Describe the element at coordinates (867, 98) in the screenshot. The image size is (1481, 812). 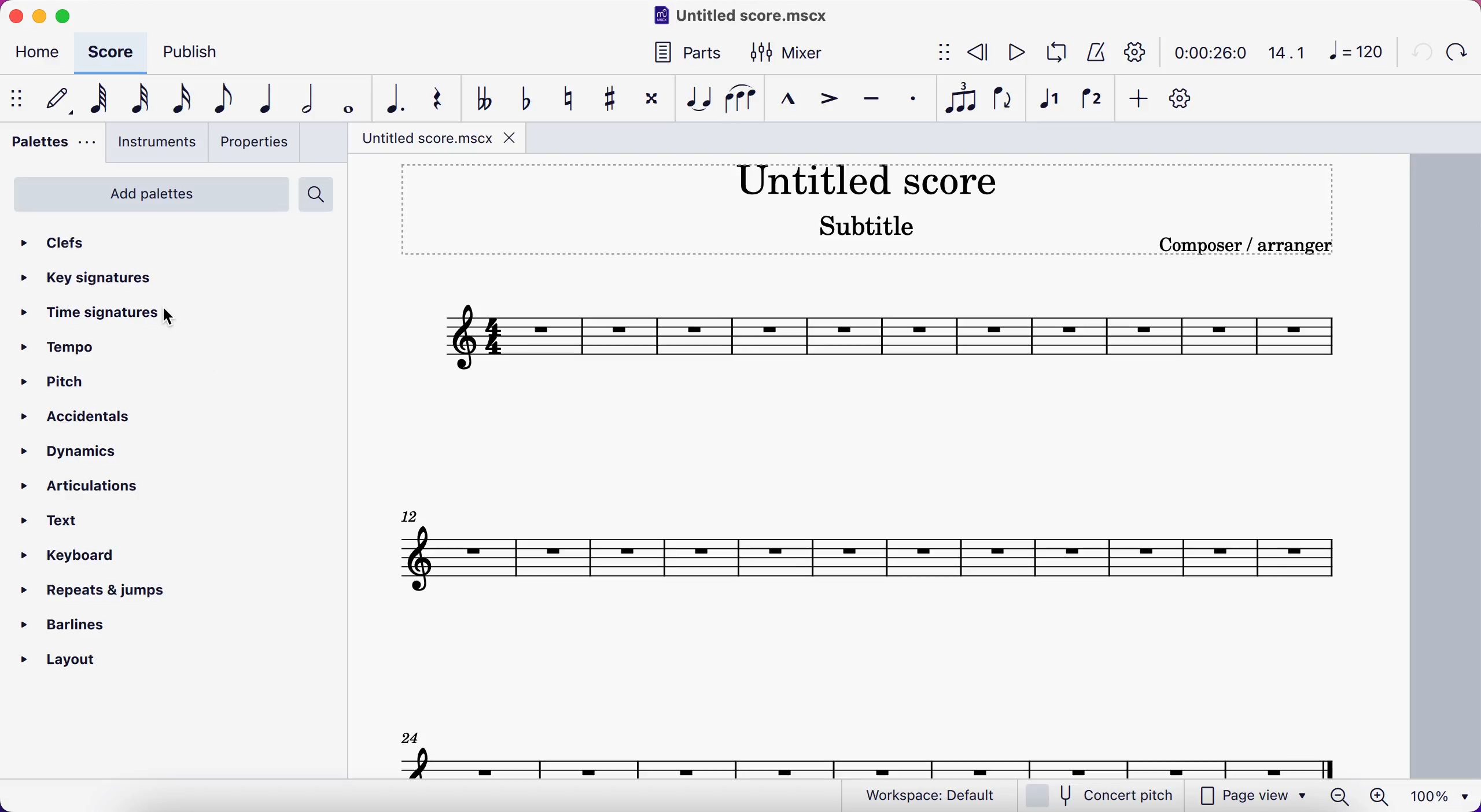
I see `tenuto` at that location.